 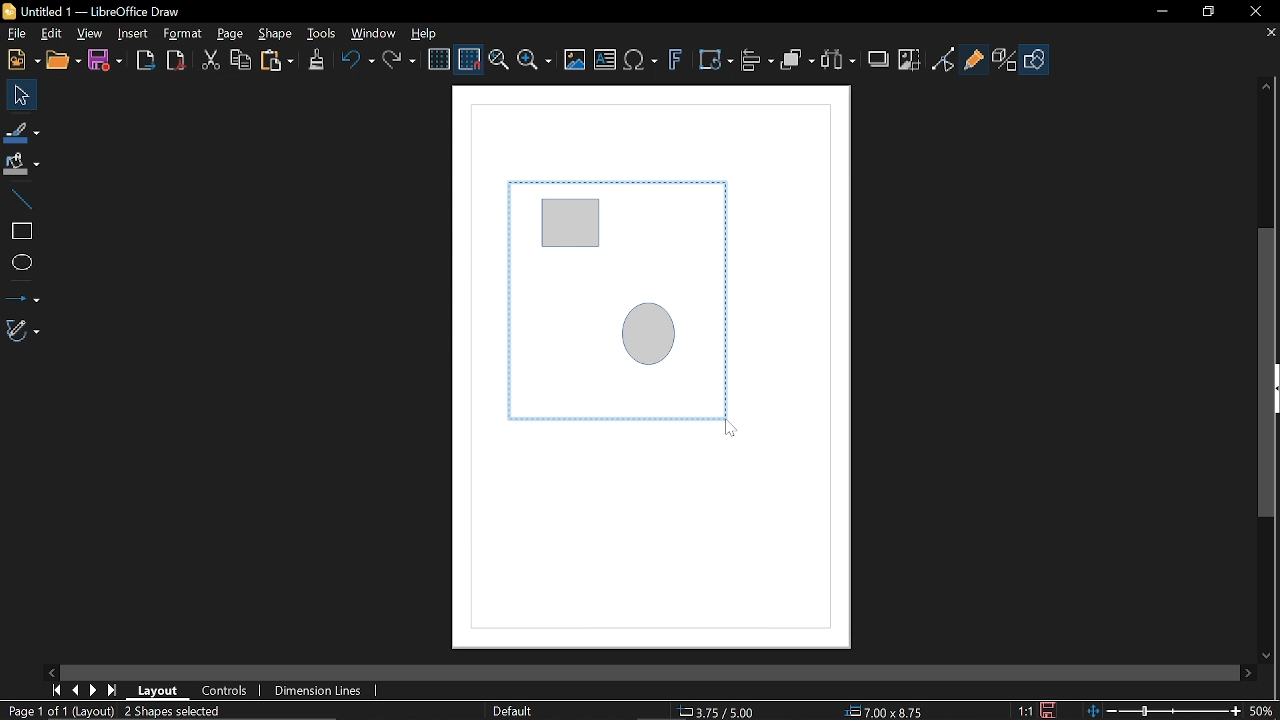 I want to click on Moveup, so click(x=1266, y=86).